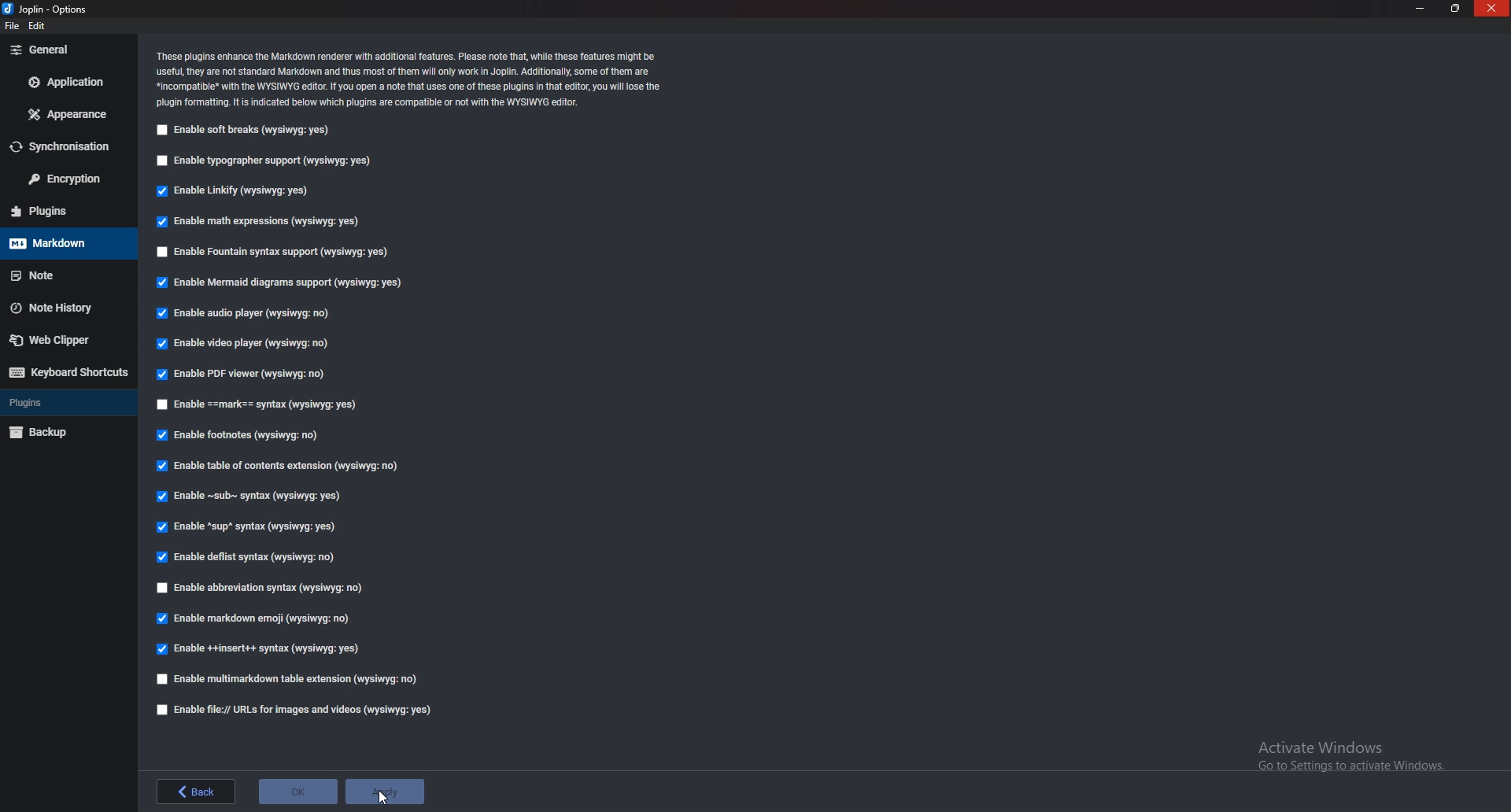 Image resolution: width=1511 pixels, height=812 pixels. What do you see at coordinates (62, 212) in the screenshot?
I see `Plugins` at bounding box center [62, 212].